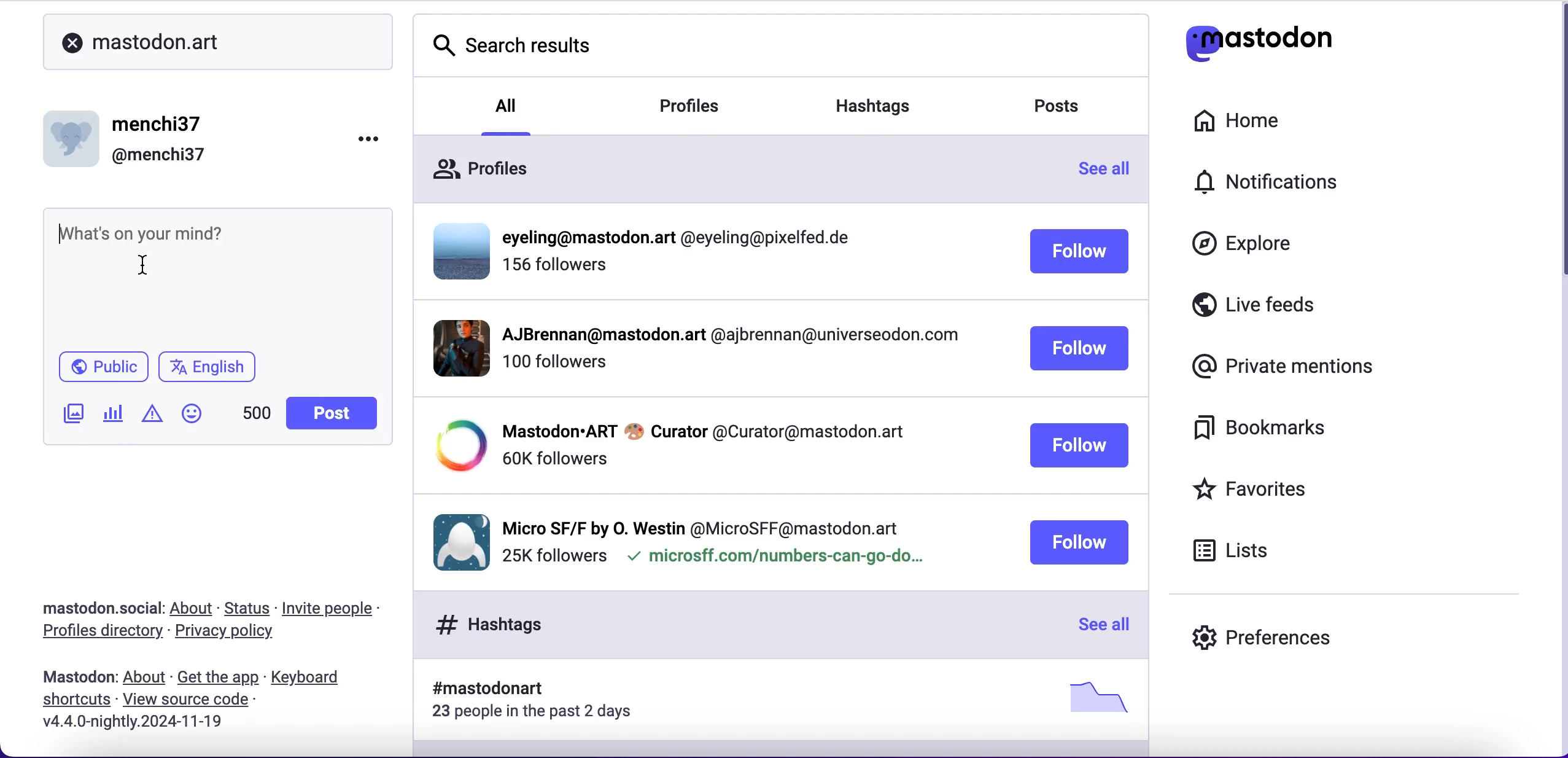 The height and width of the screenshot is (758, 1568). What do you see at coordinates (554, 368) in the screenshot?
I see `followers` at bounding box center [554, 368].